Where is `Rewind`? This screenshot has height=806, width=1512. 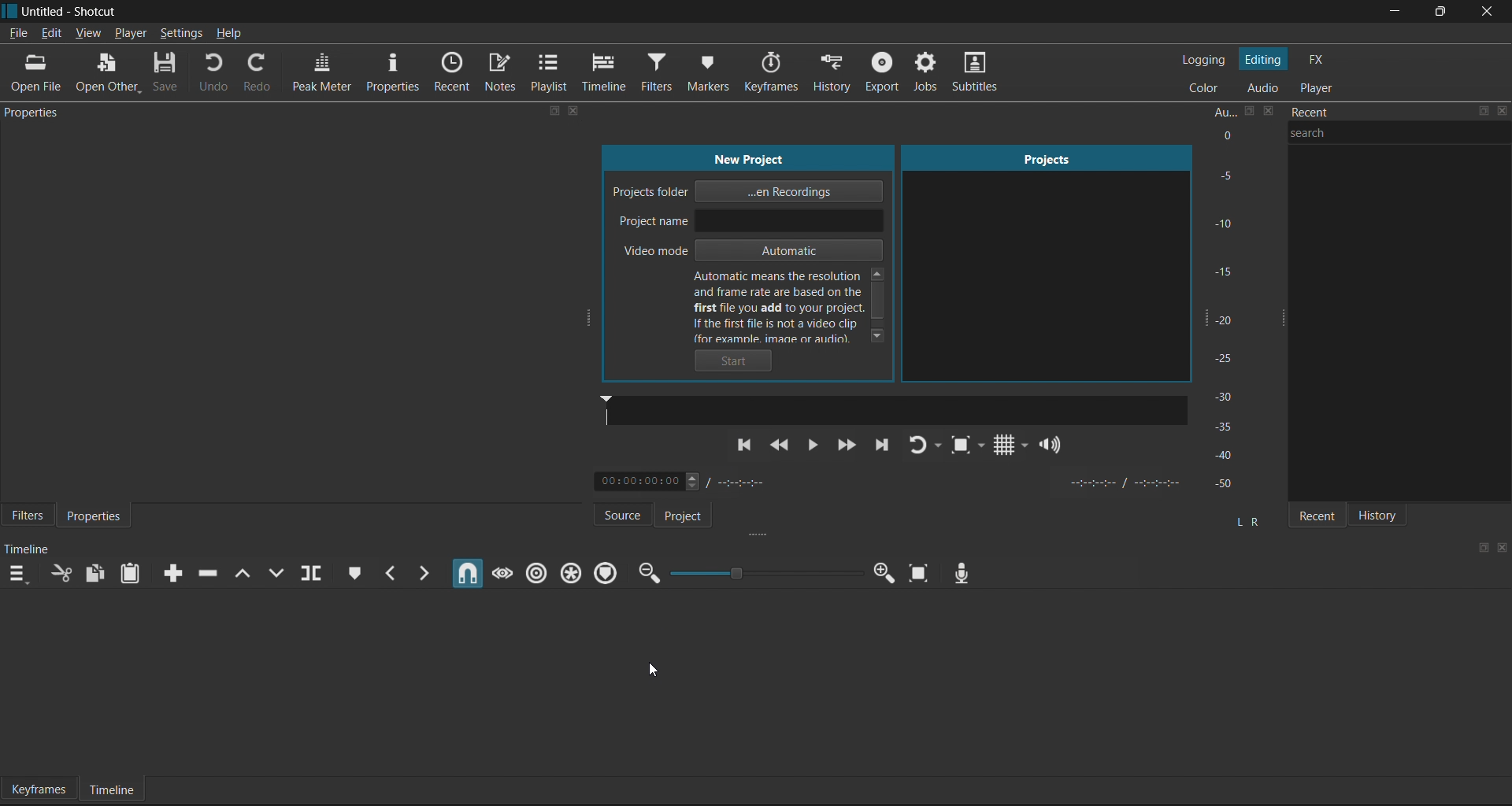
Rewind is located at coordinates (783, 447).